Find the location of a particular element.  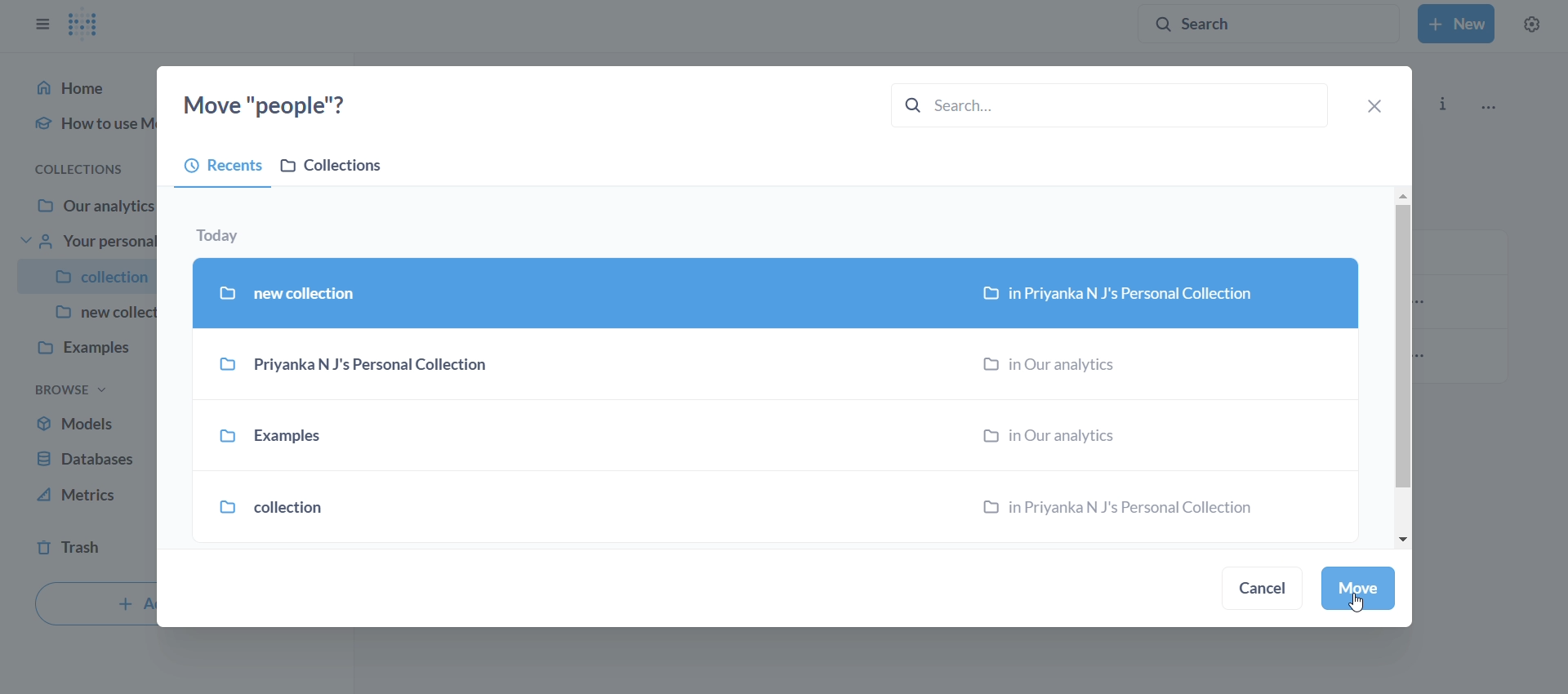

collections is located at coordinates (333, 169).